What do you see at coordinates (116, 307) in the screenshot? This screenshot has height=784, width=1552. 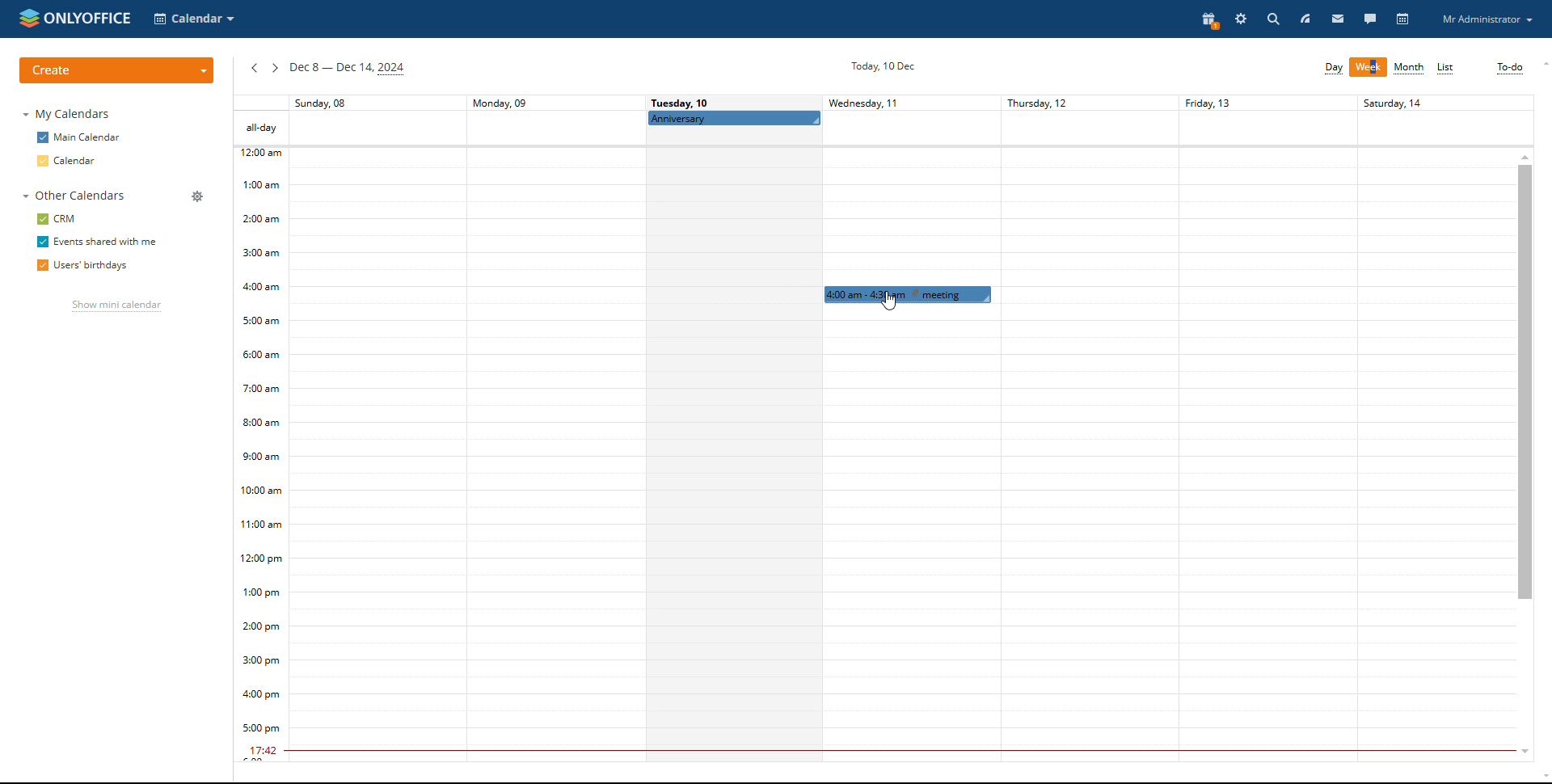 I see `show mini calendar` at bounding box center [116, 307].